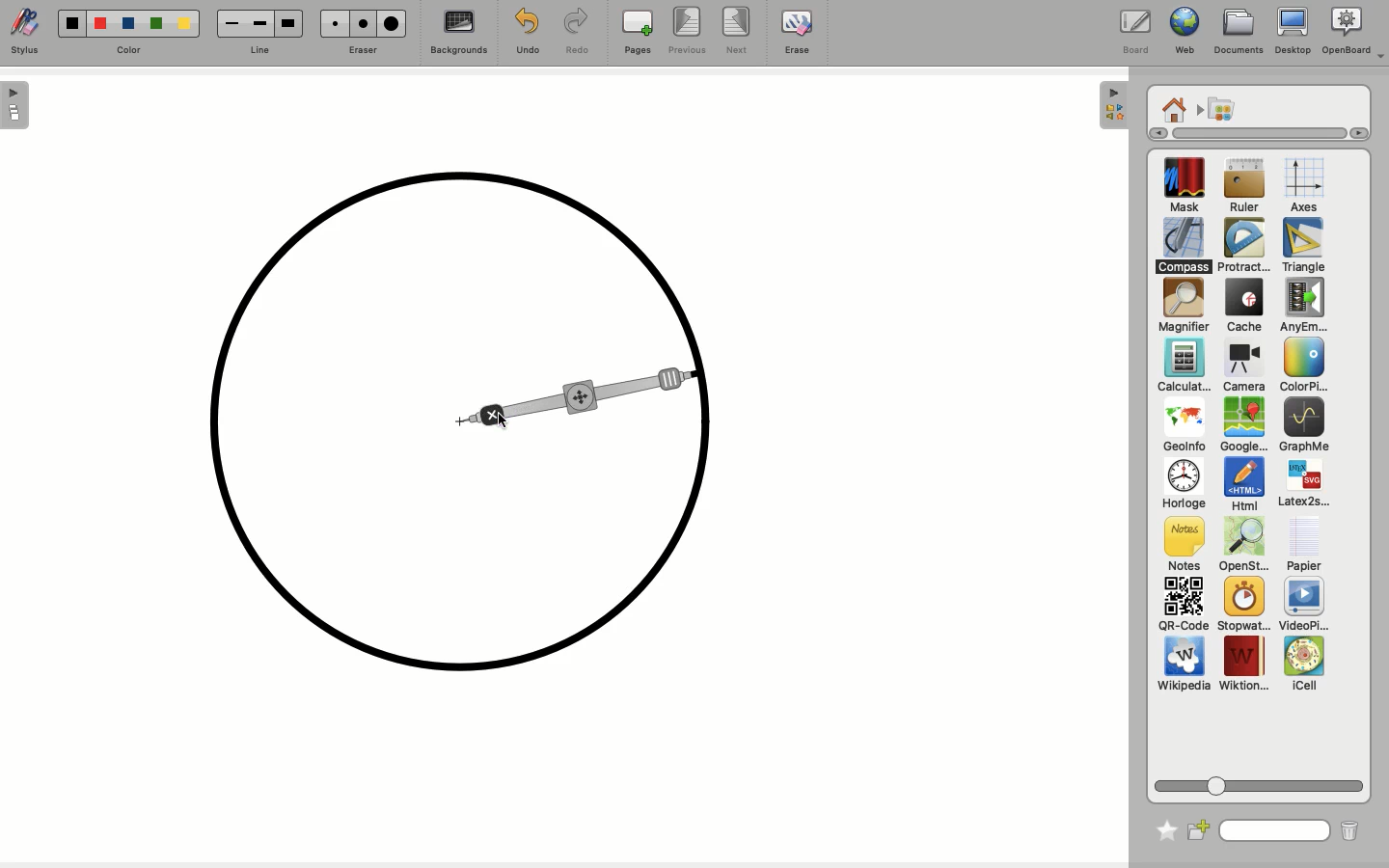 This screenshot has height=868, width=1389. Describe the element at coordinates (1183, 485) in the screenshot. I see `Horloge` at that location.